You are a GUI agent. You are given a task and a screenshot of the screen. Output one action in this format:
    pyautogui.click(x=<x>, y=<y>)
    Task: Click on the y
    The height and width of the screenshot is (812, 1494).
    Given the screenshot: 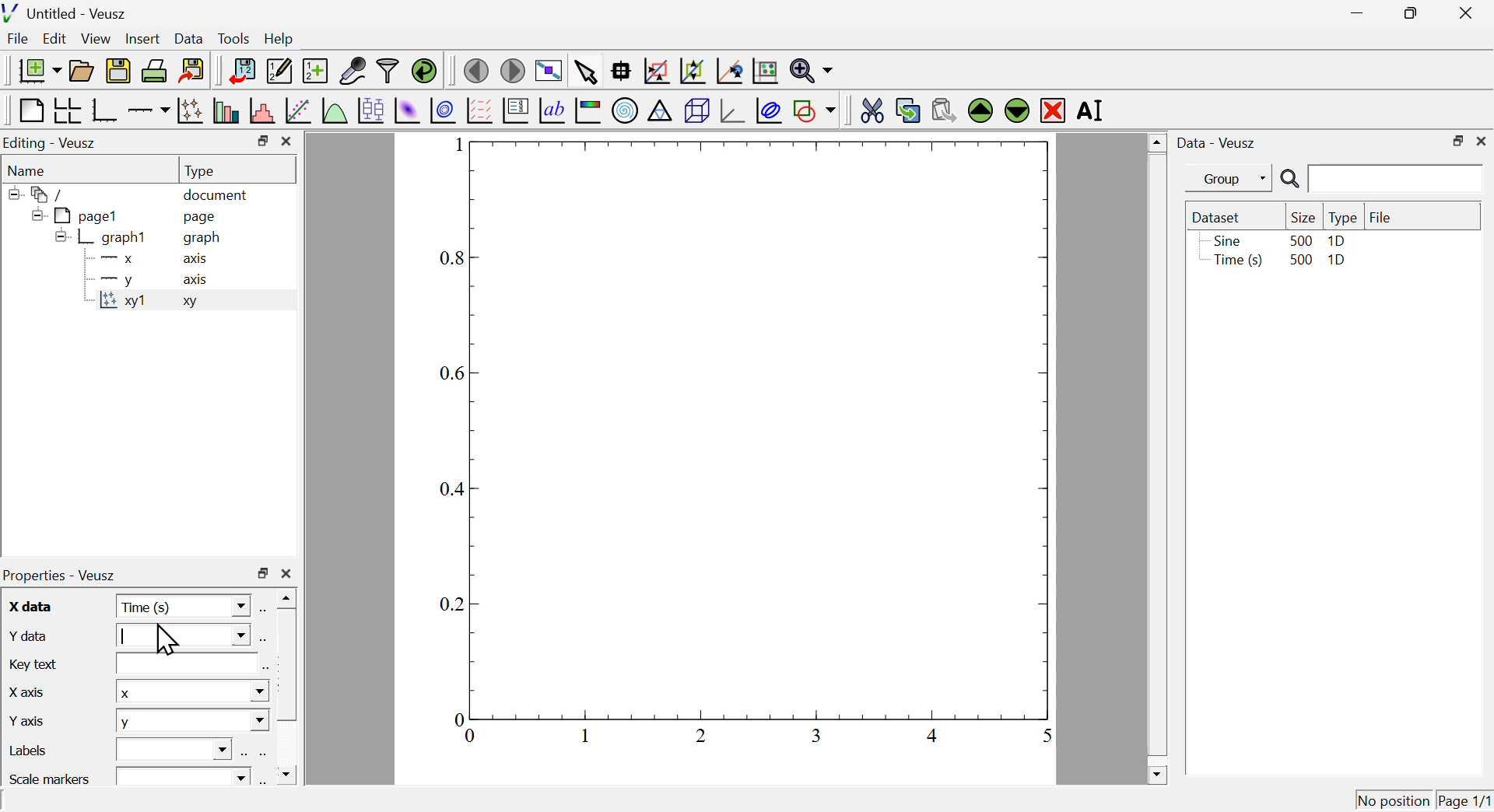 What is the action you would take?
    pyautogui.click(x=192, y=722)
    